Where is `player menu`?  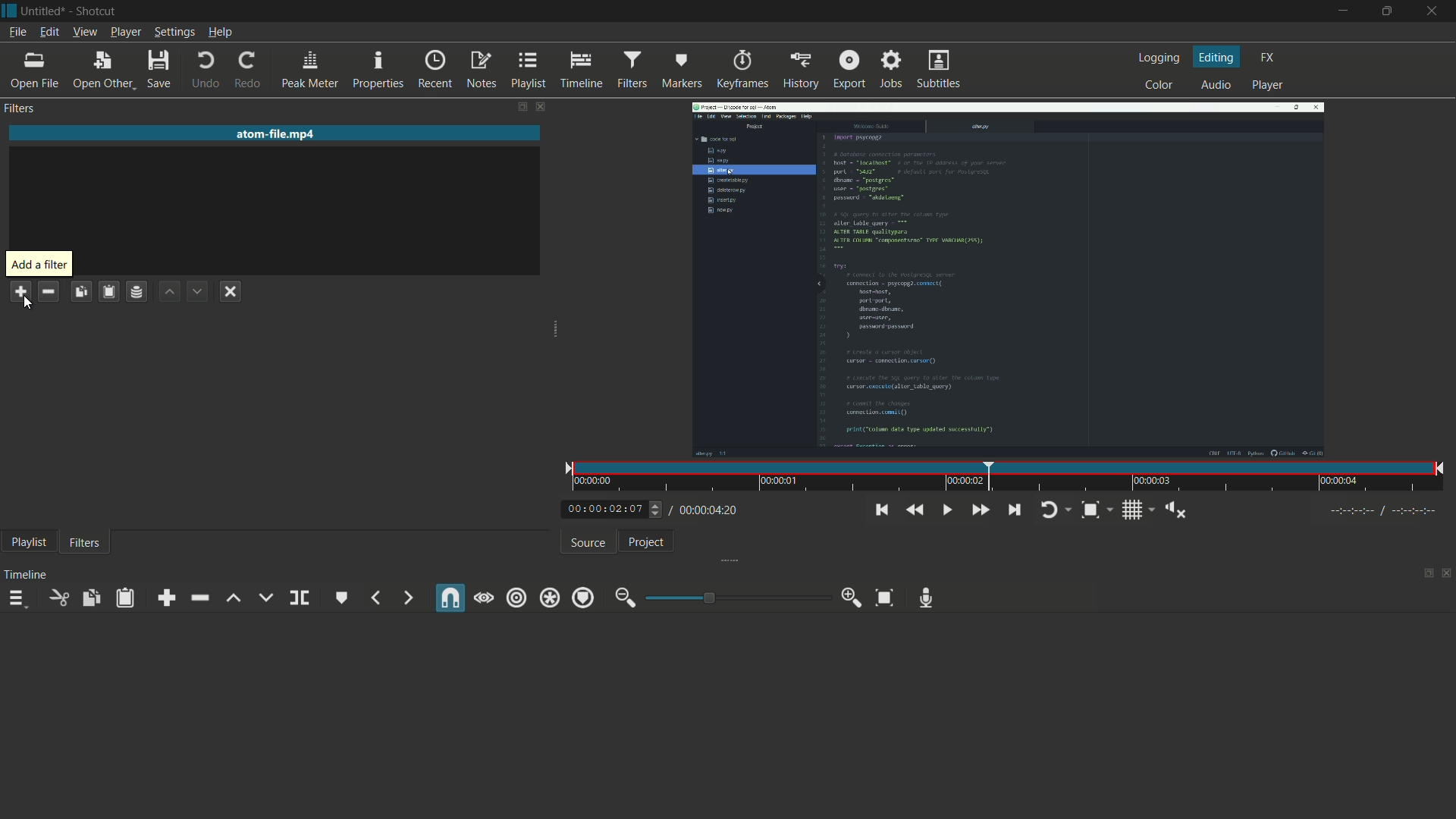
player menu is located at coordinates (126, 32).